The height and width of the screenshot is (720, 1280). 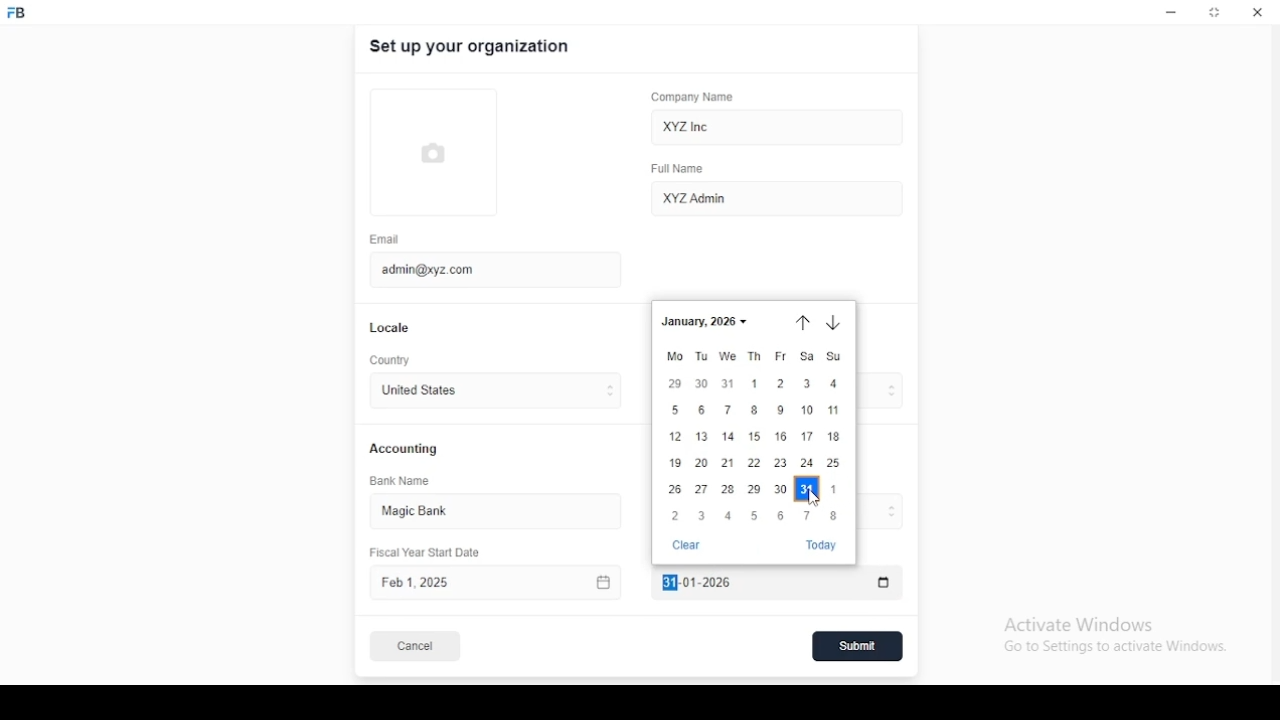 What do you see at coordinates (683, 169) in the screenshot?
I see `full name` at bounding box center [683, 169].